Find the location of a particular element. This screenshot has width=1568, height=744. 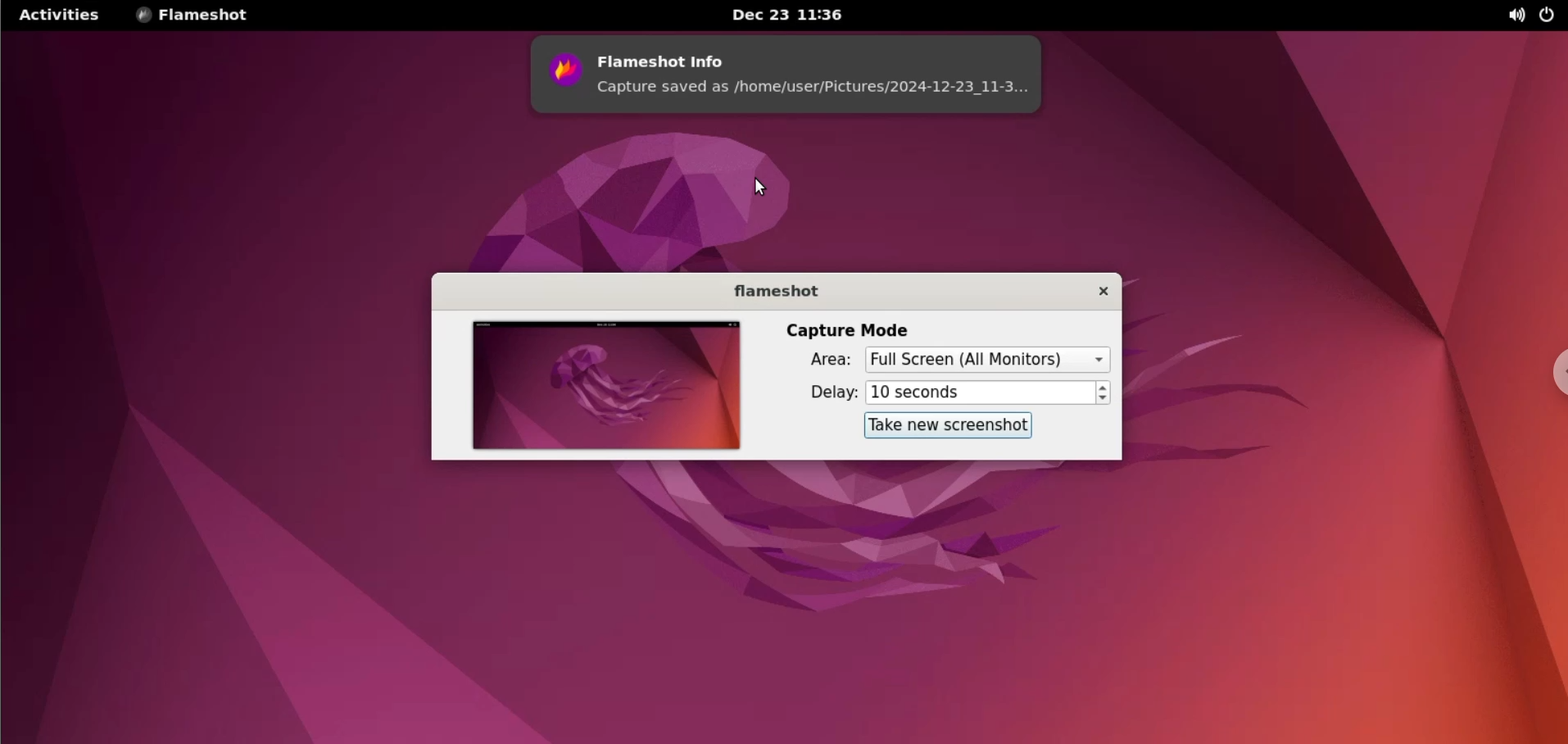

chrome options is located at coordinates (1553, 370).